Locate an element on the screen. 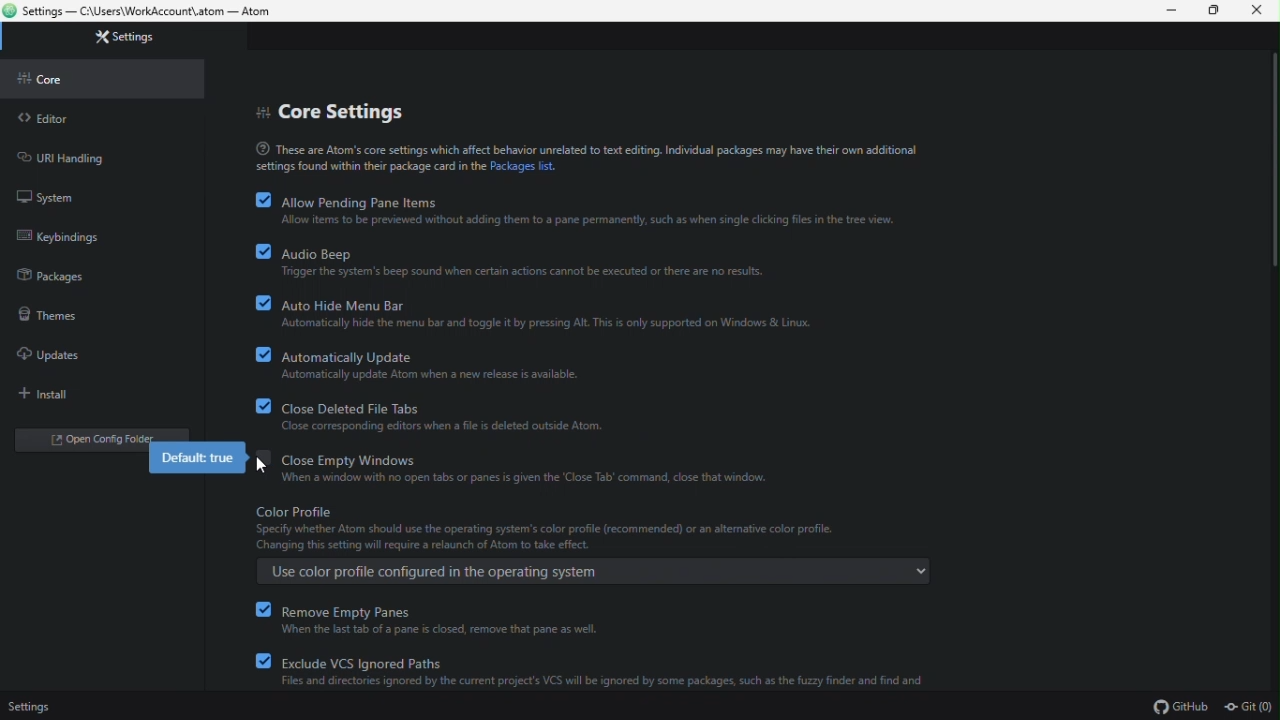 The image size is (1280, 720). system is located at coordinates (43, 196).